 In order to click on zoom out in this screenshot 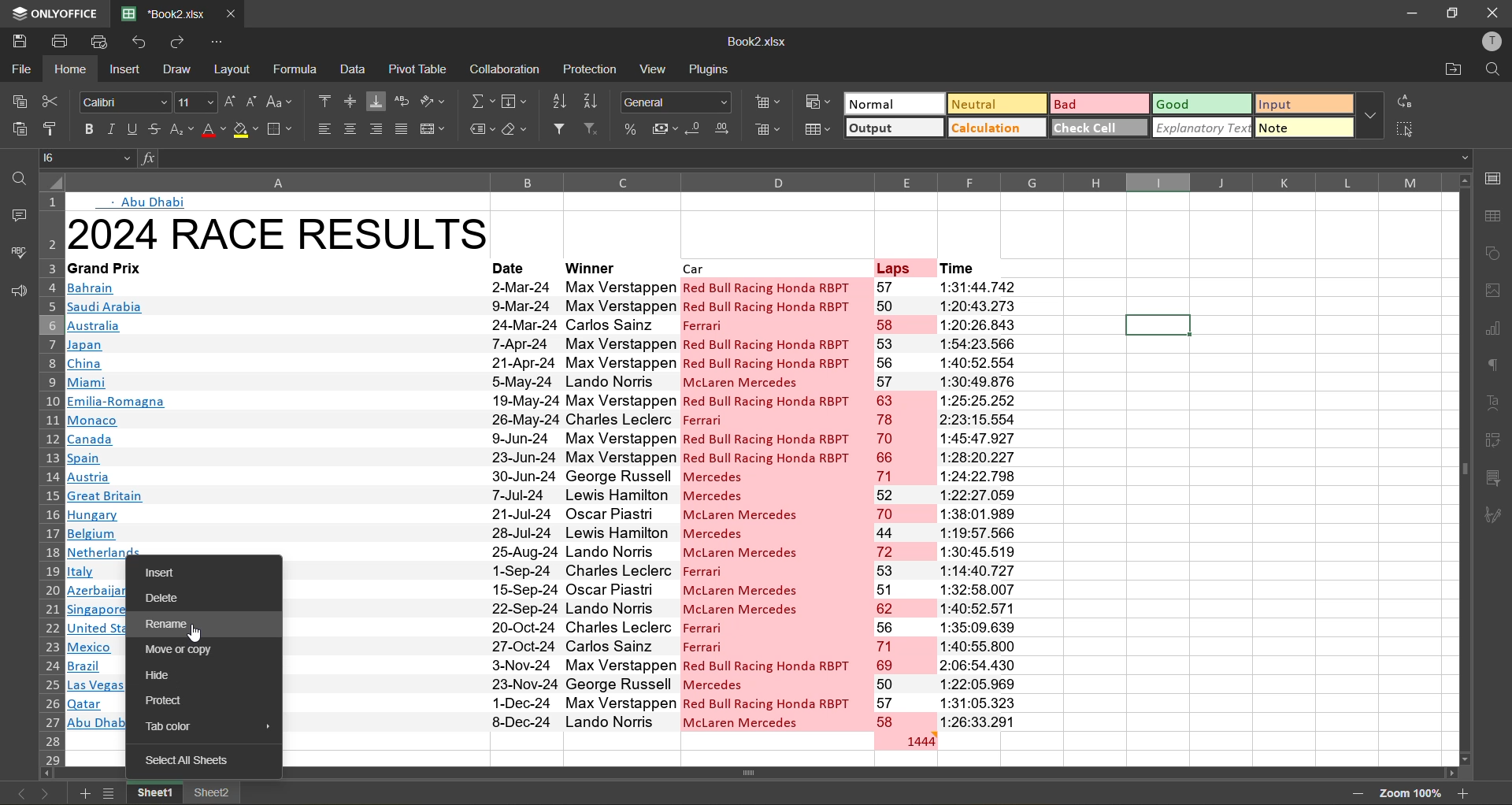, I will do `click(1357, 795)`.